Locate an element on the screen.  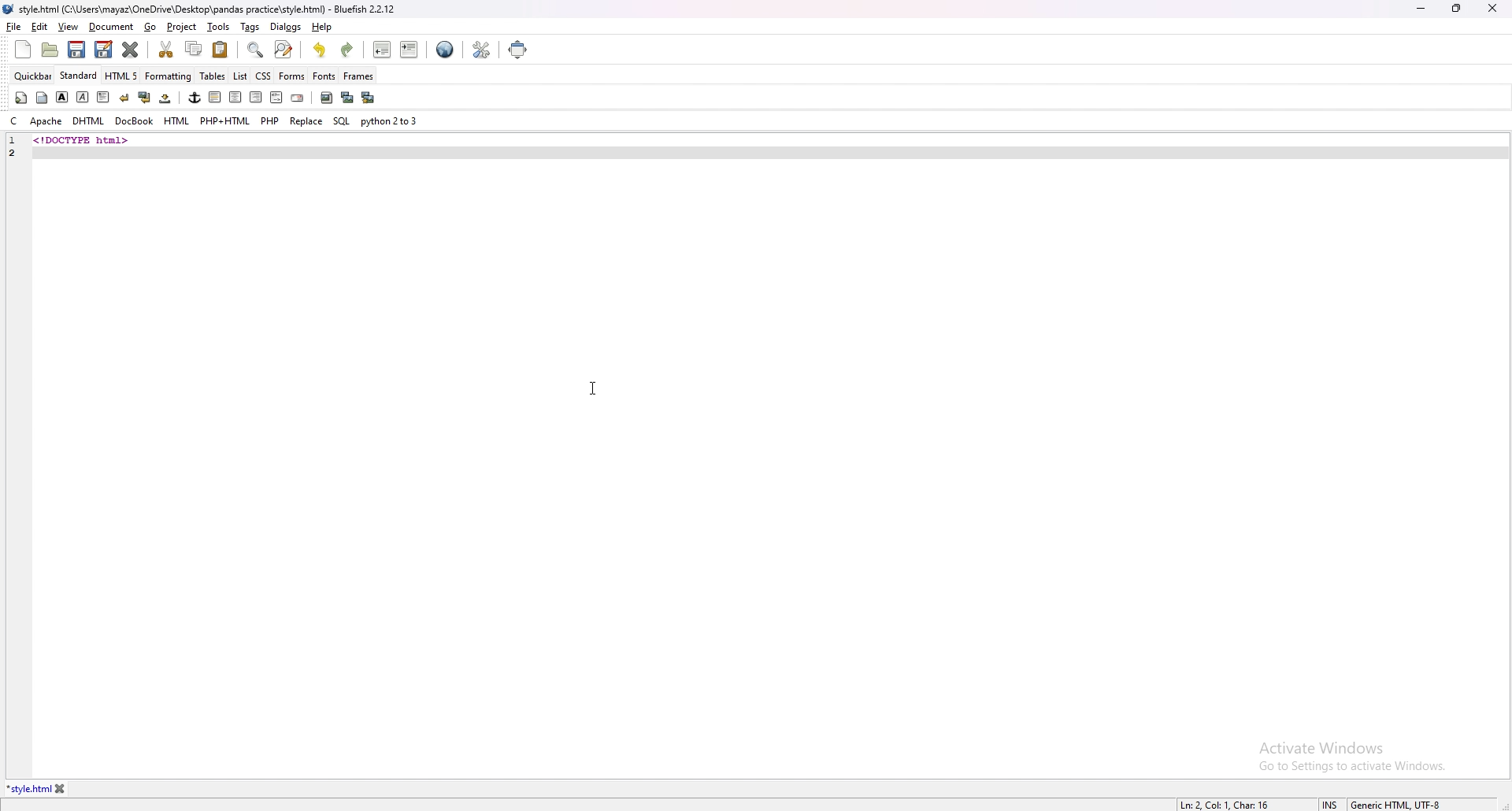
new is located at coordinates (23, 50).